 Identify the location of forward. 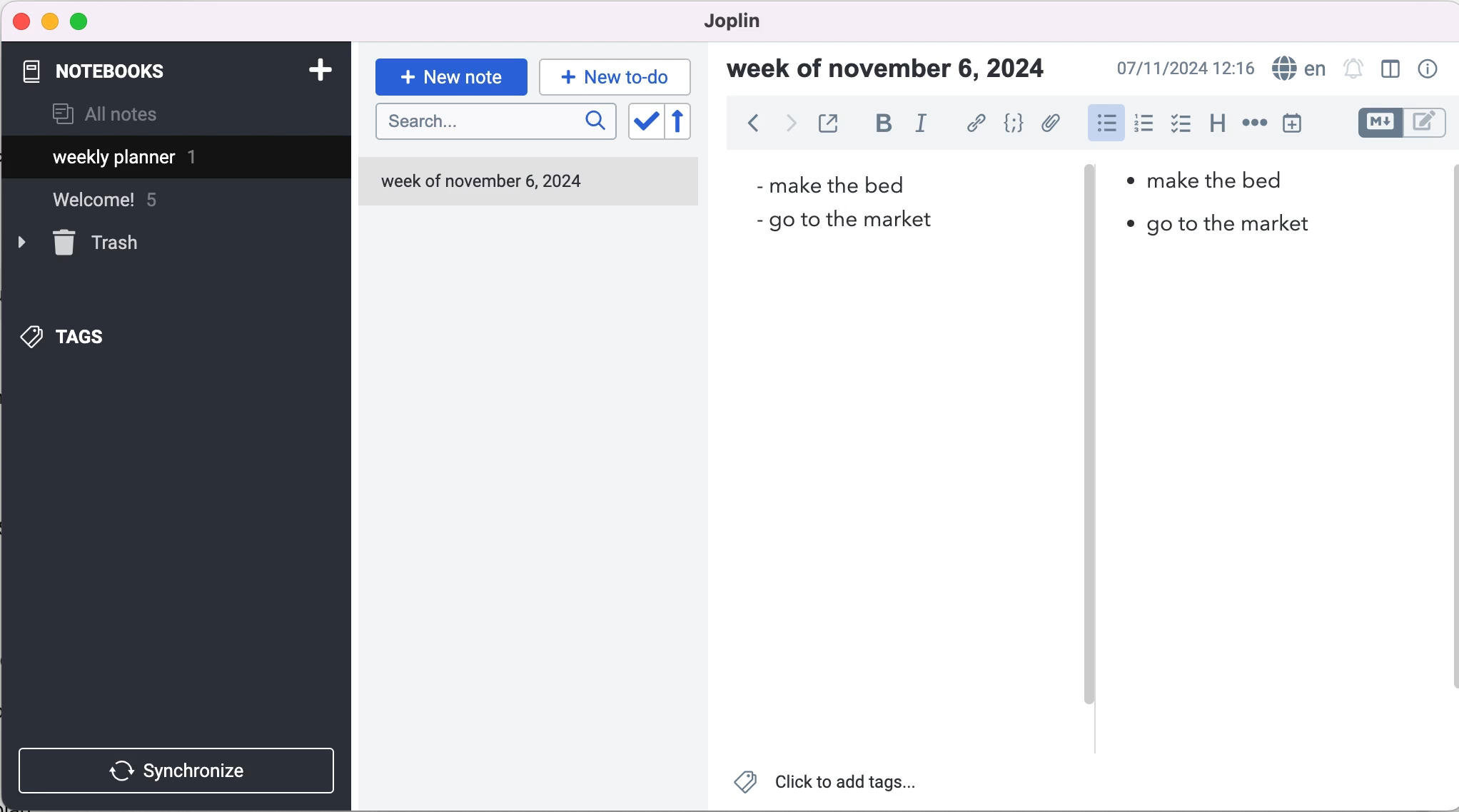
(789, 126).